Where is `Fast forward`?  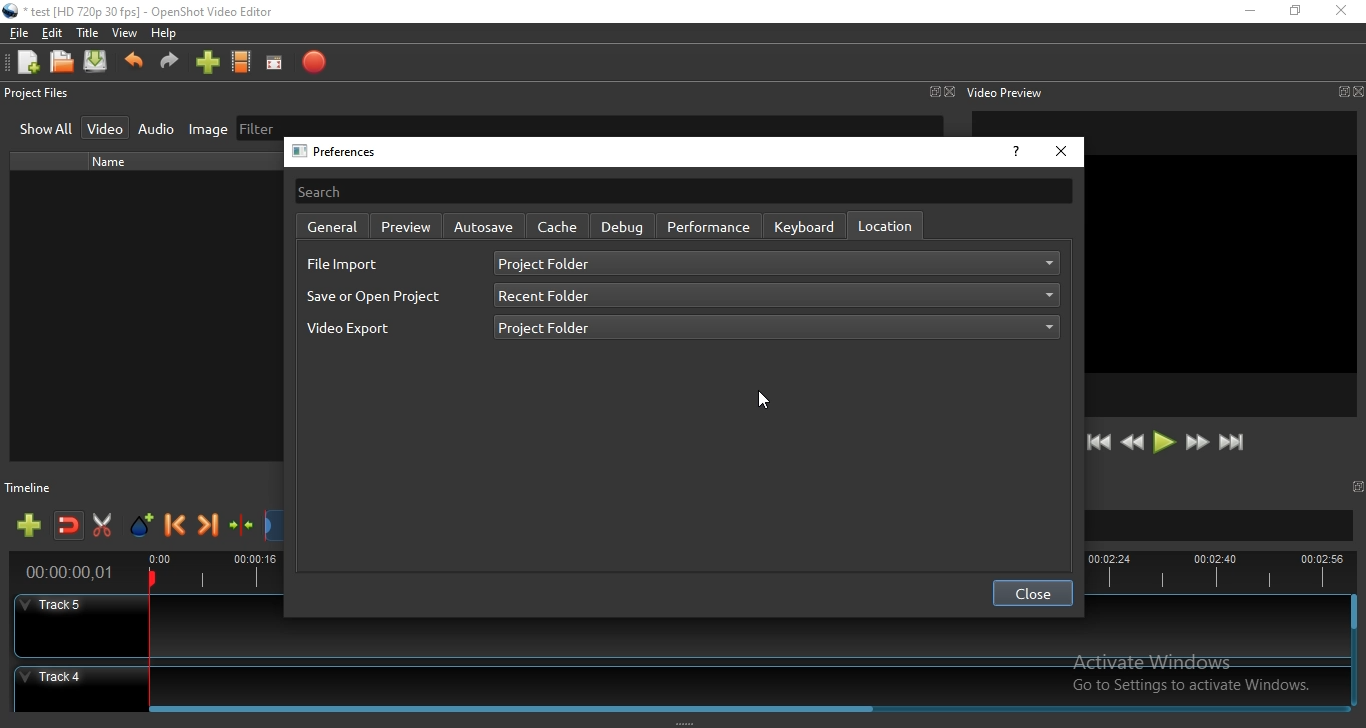
Fast forward is located at coordinates (1197, 444).